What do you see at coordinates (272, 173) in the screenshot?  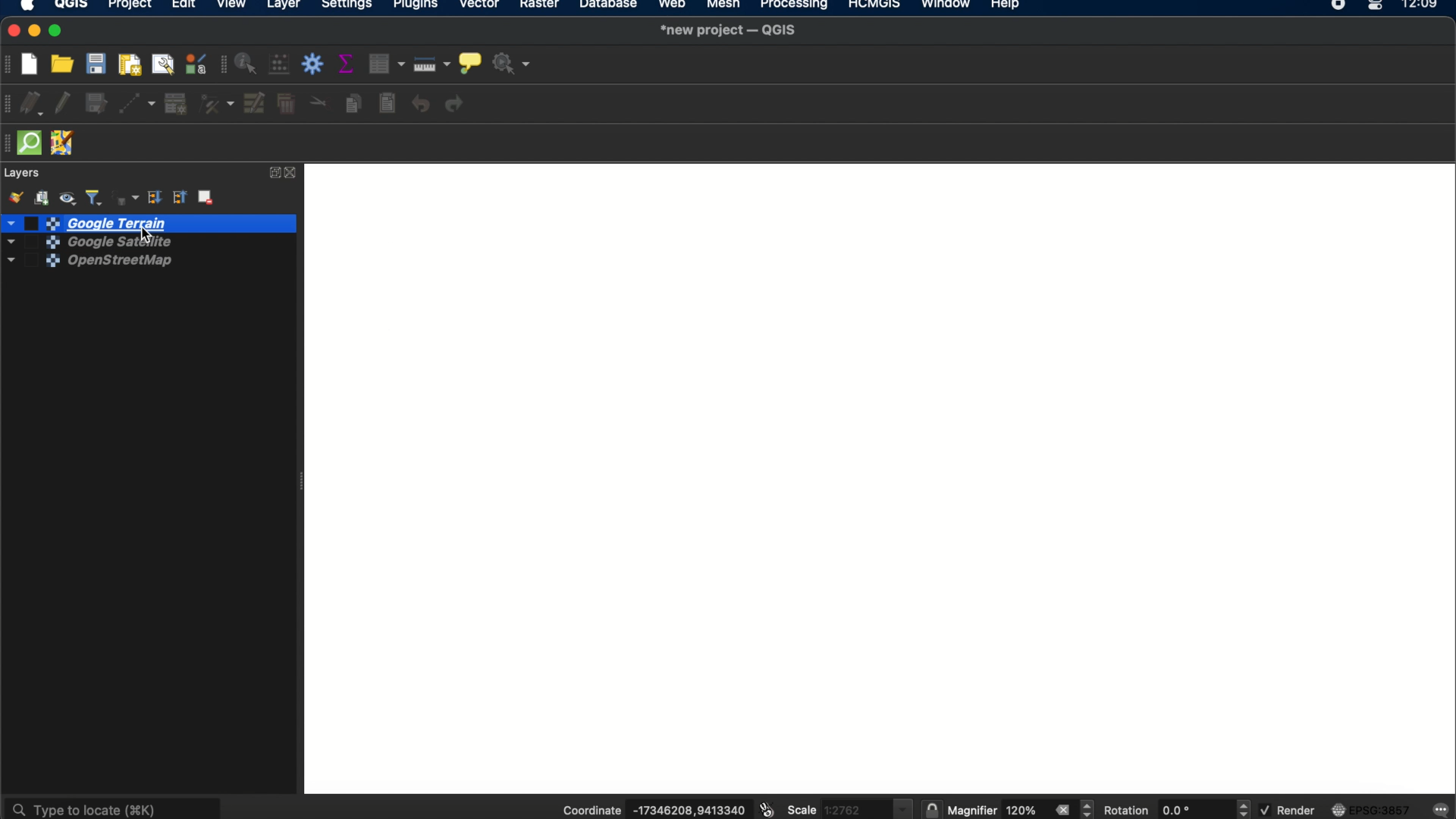 I see `expand` at bounding box center [272, 173].